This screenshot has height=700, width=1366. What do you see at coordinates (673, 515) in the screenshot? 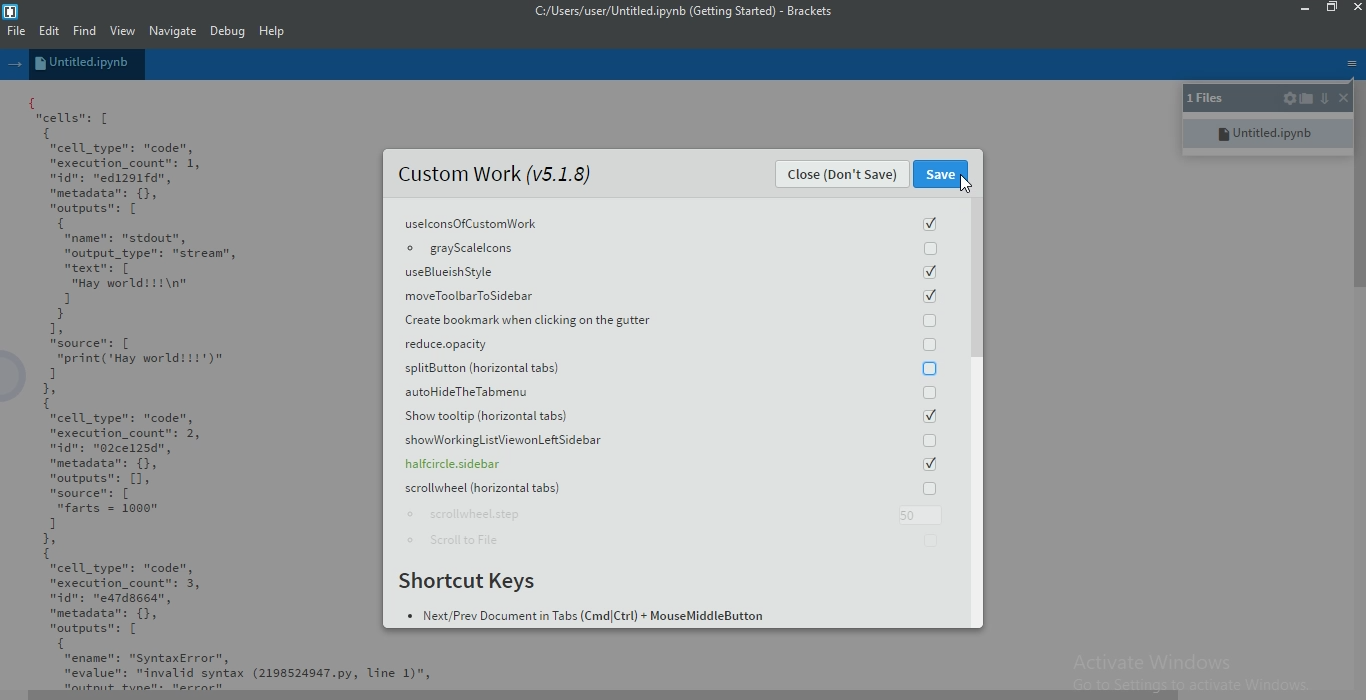
I see `scrollwheel.step` at bounding box center [673, 515].